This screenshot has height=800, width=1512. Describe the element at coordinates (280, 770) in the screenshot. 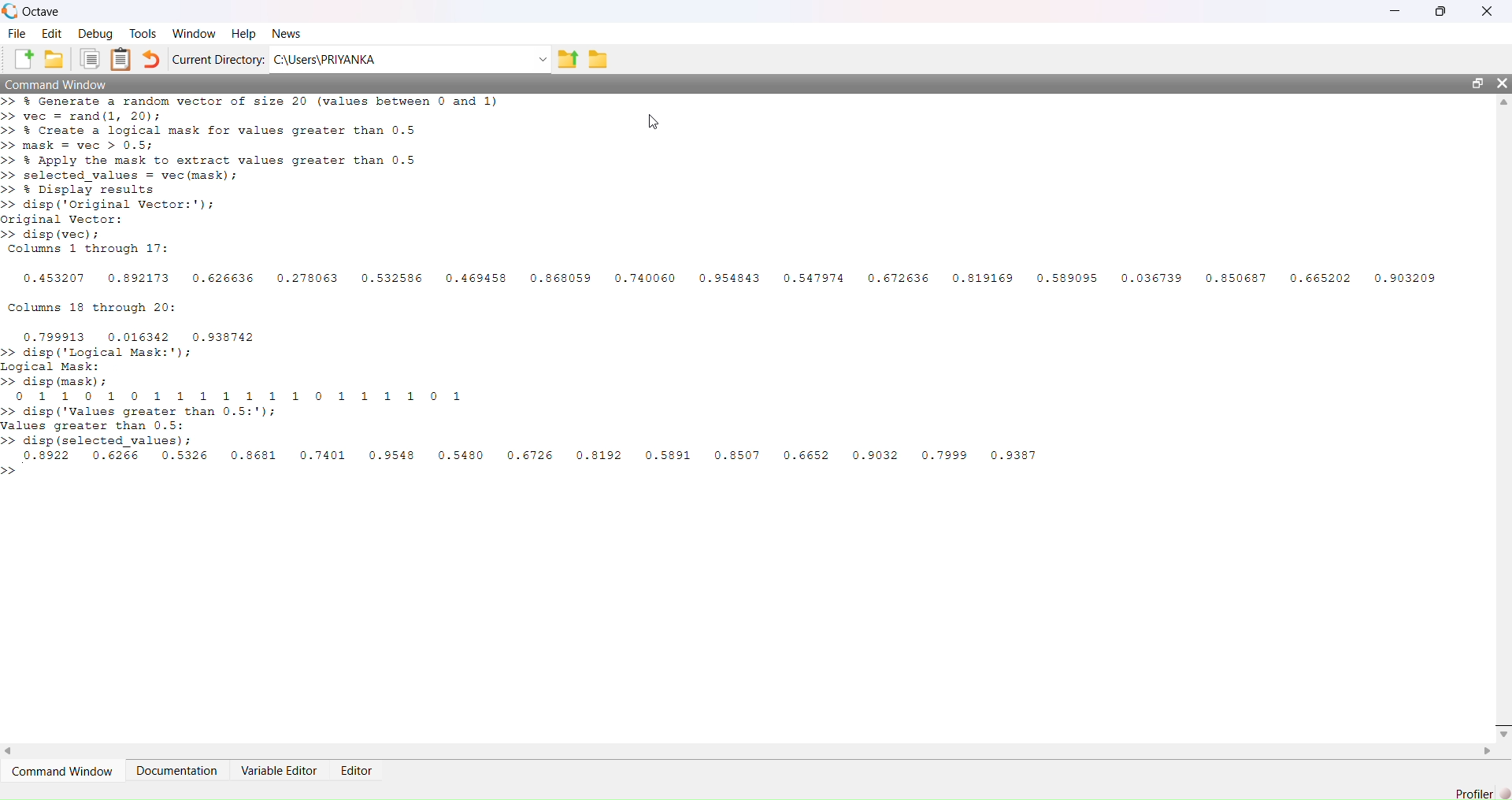

I see `Variable Editor` at that location.